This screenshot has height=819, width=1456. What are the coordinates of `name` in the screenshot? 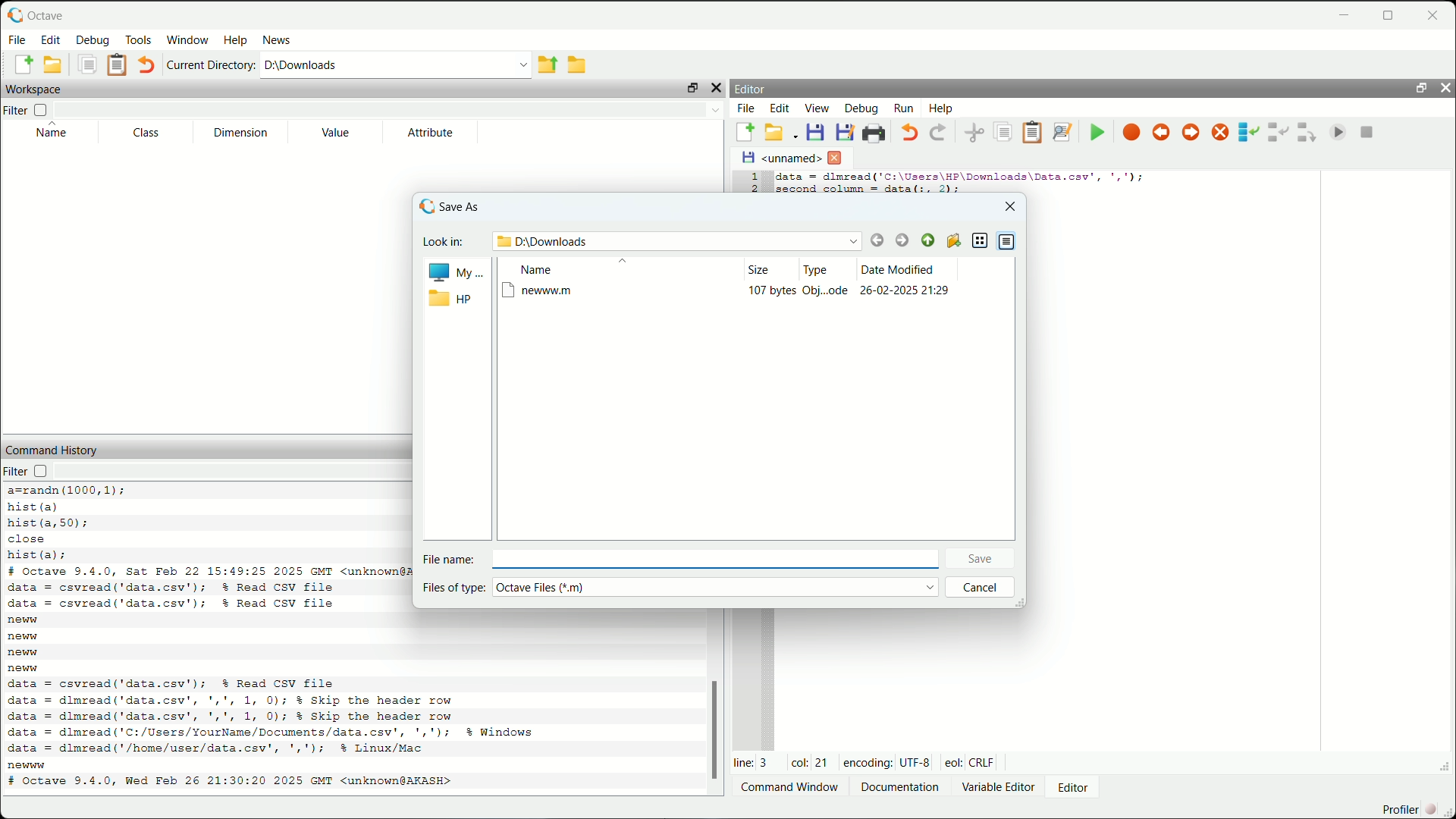 It's located at (541, 269).